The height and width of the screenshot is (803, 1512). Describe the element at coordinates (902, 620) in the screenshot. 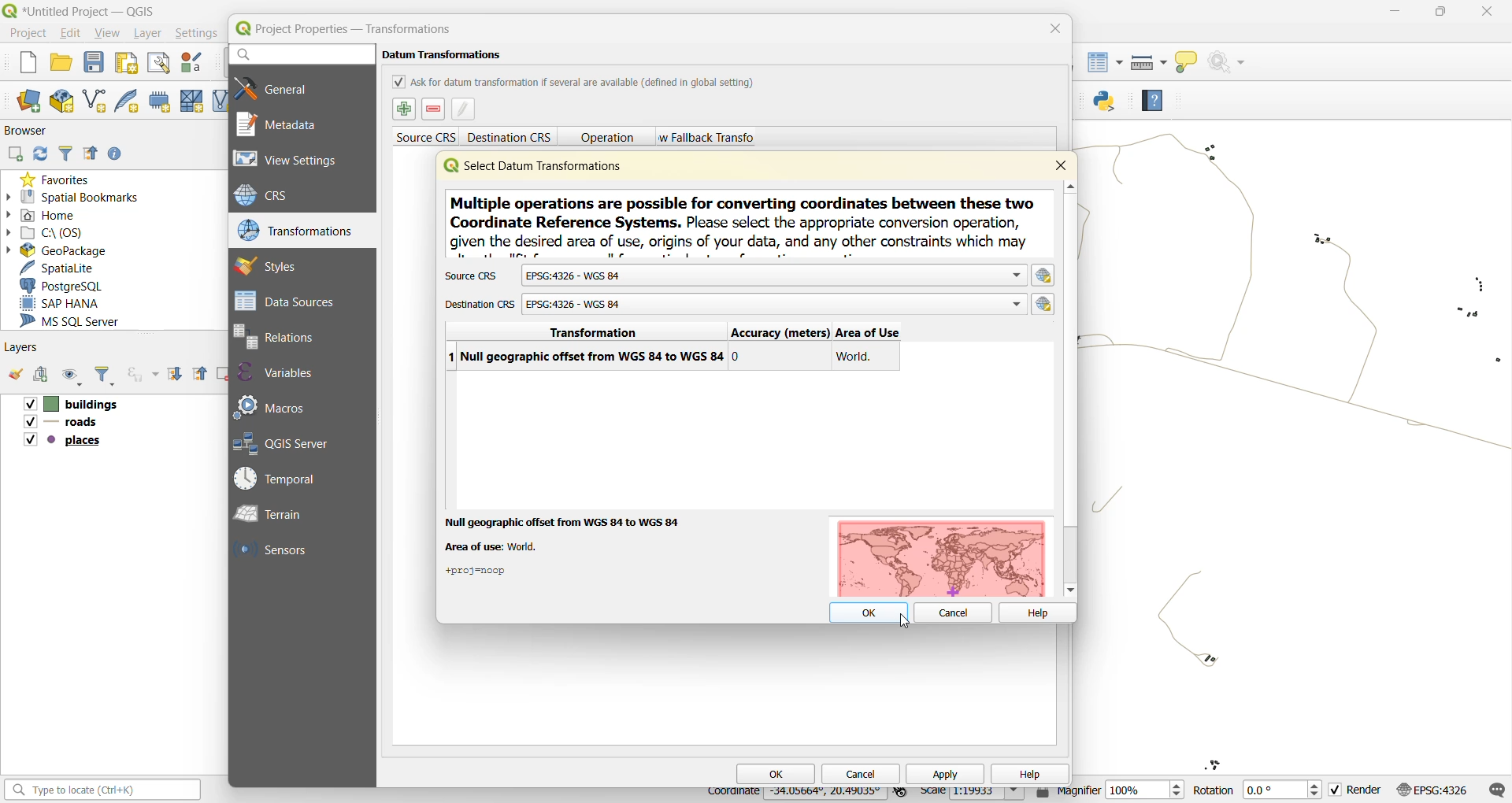

I see `cursor` at that location.